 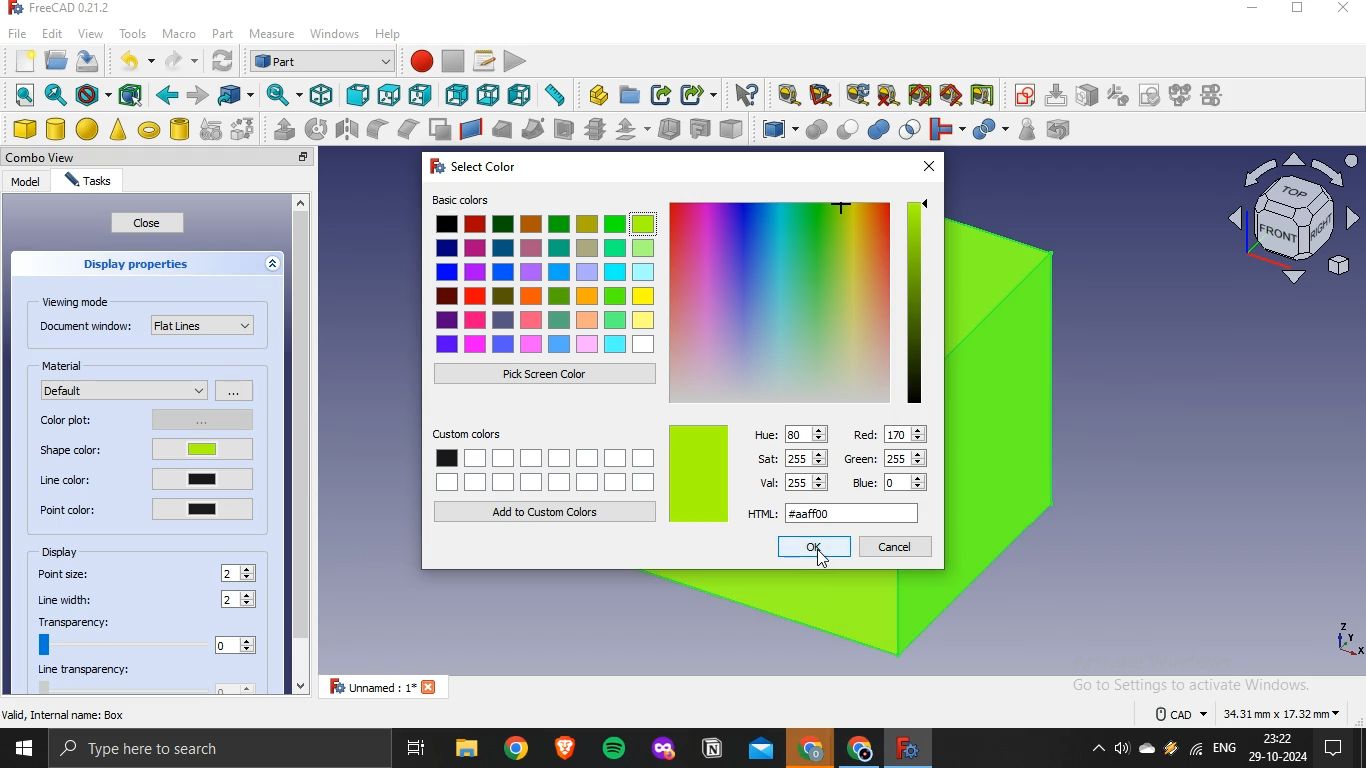 I want to click on red, so click(x=889, y=433).